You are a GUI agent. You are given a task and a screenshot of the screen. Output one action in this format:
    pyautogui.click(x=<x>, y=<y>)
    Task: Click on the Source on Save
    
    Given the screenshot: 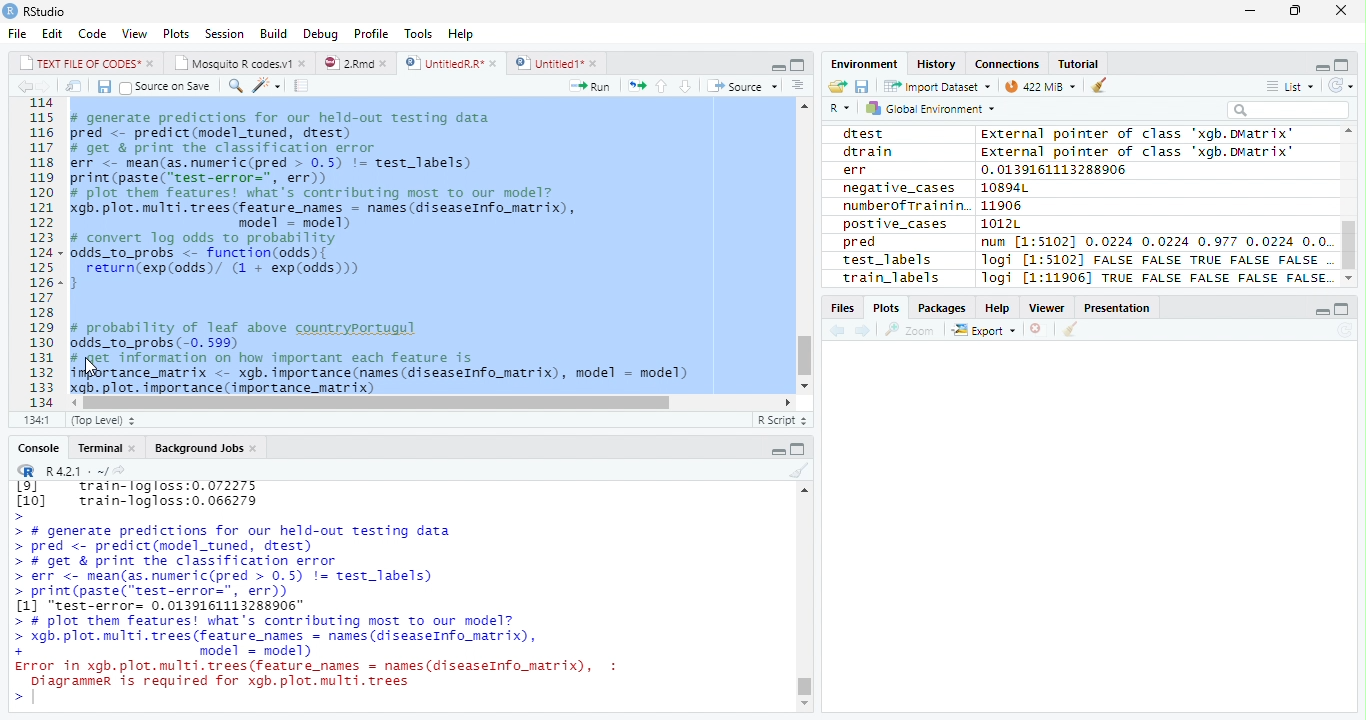 What is the action you would take?
    pyautogui.click(x=164, y=87)
    